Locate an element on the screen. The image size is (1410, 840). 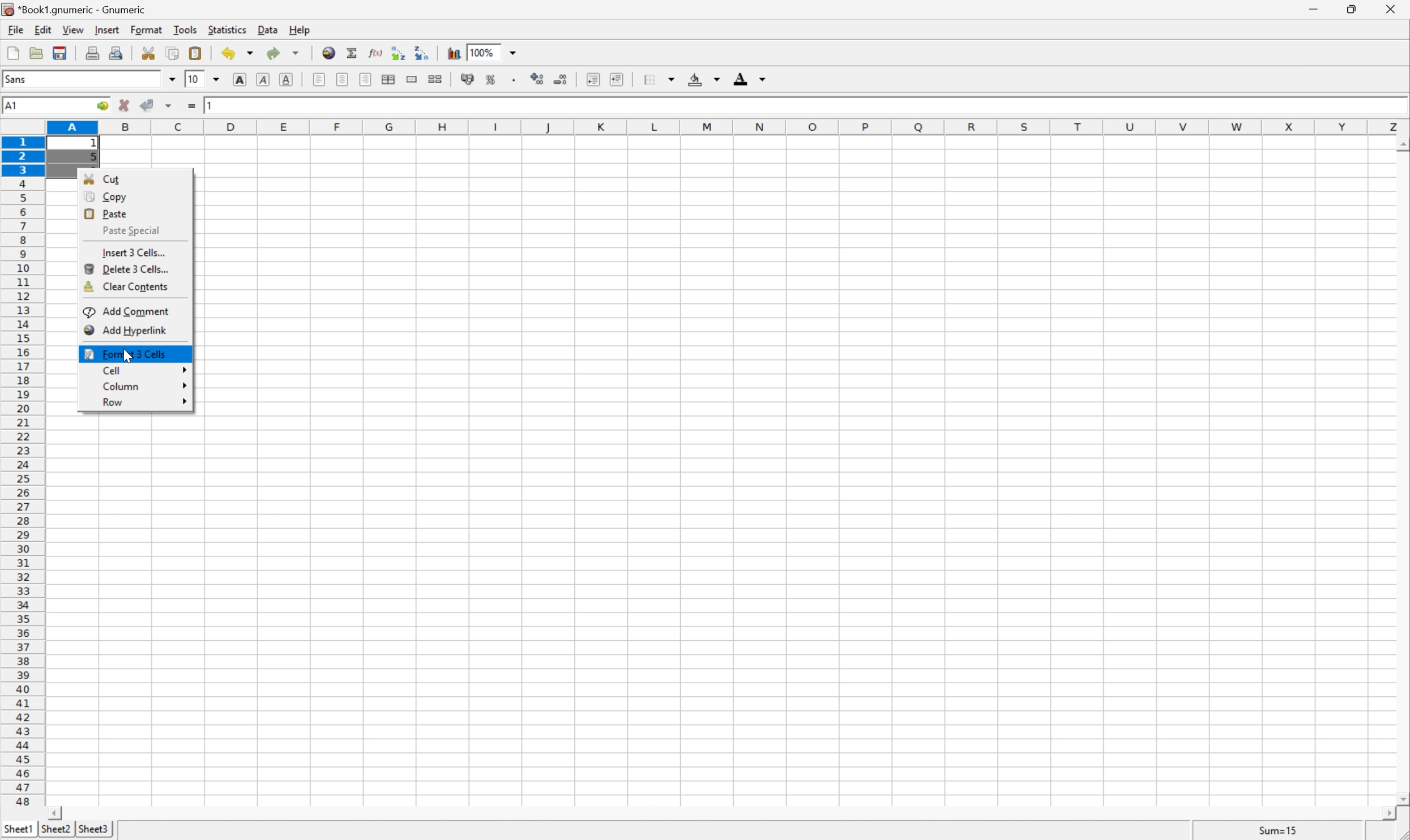
open a file is located at coordinates (35, 51).